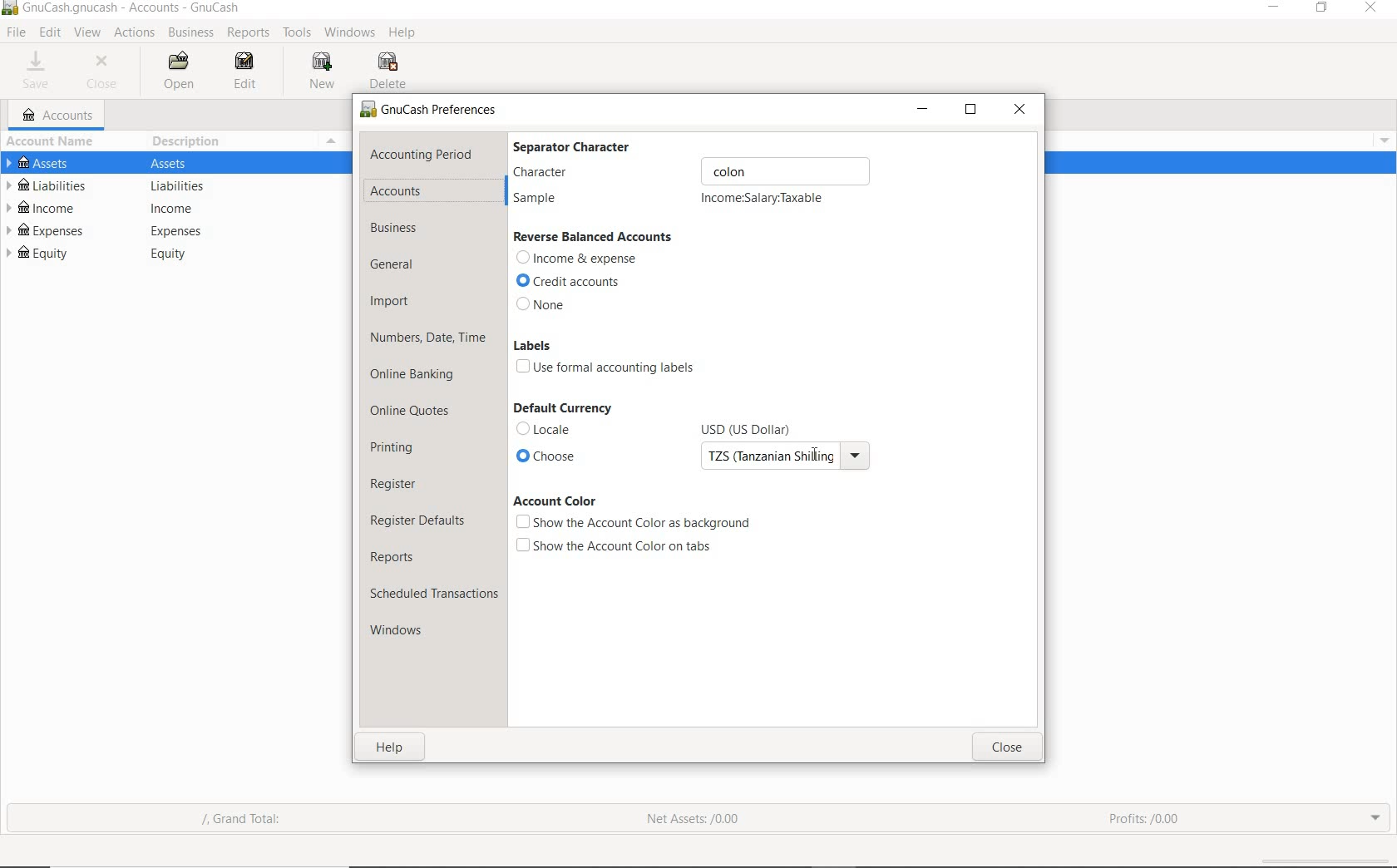  What do you see at coordinates (195, 143) in the screenshot?
I see `DESCRIPTION` at bounding box center [195, 143].